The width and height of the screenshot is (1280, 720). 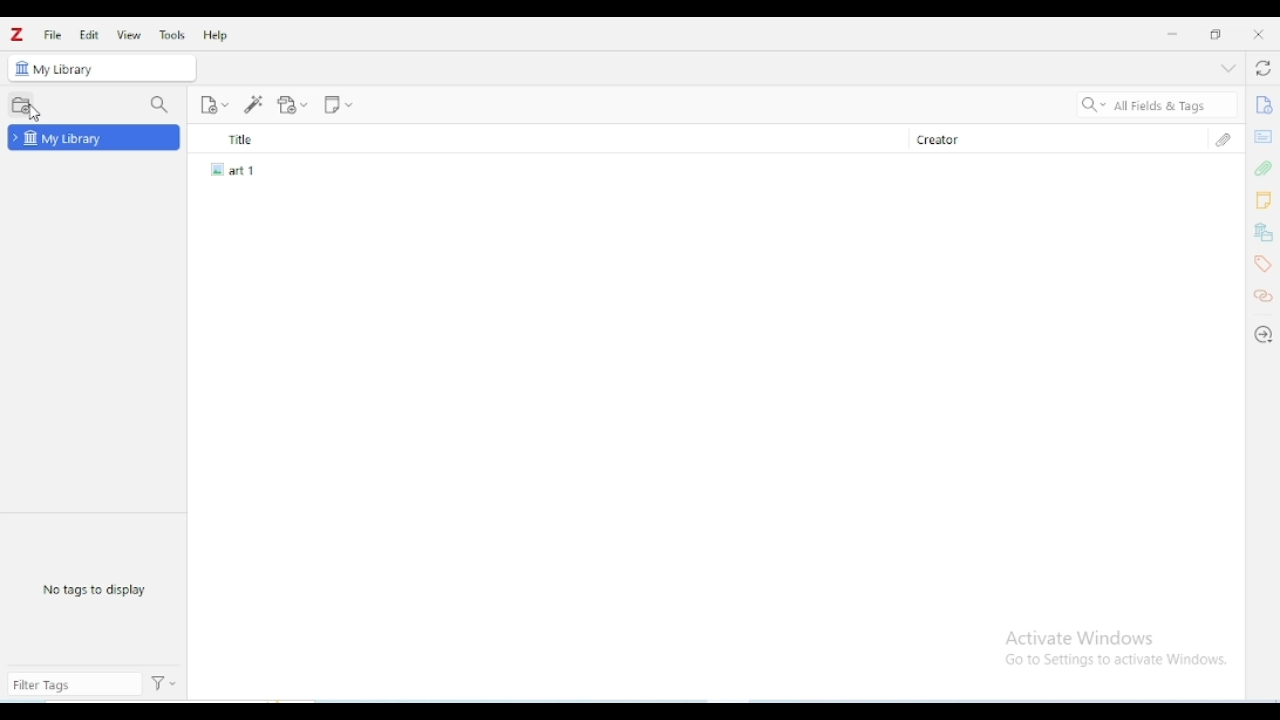 What do you see at coordinates (1263, 201) in the screenshot?
I see `notes` at bounding box center [1263, 201].